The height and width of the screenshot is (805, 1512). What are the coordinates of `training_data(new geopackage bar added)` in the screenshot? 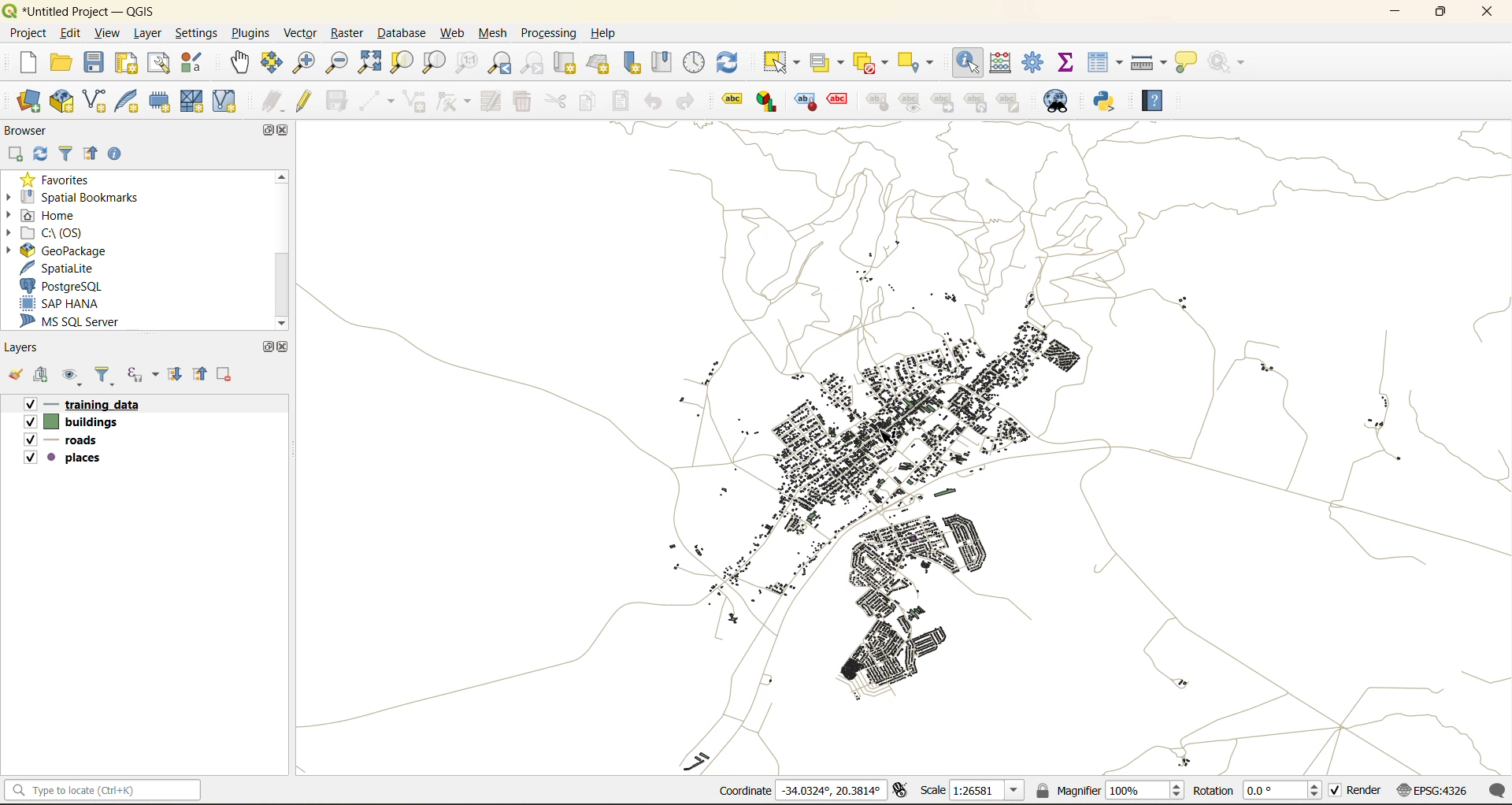 It's located at (94, 402).